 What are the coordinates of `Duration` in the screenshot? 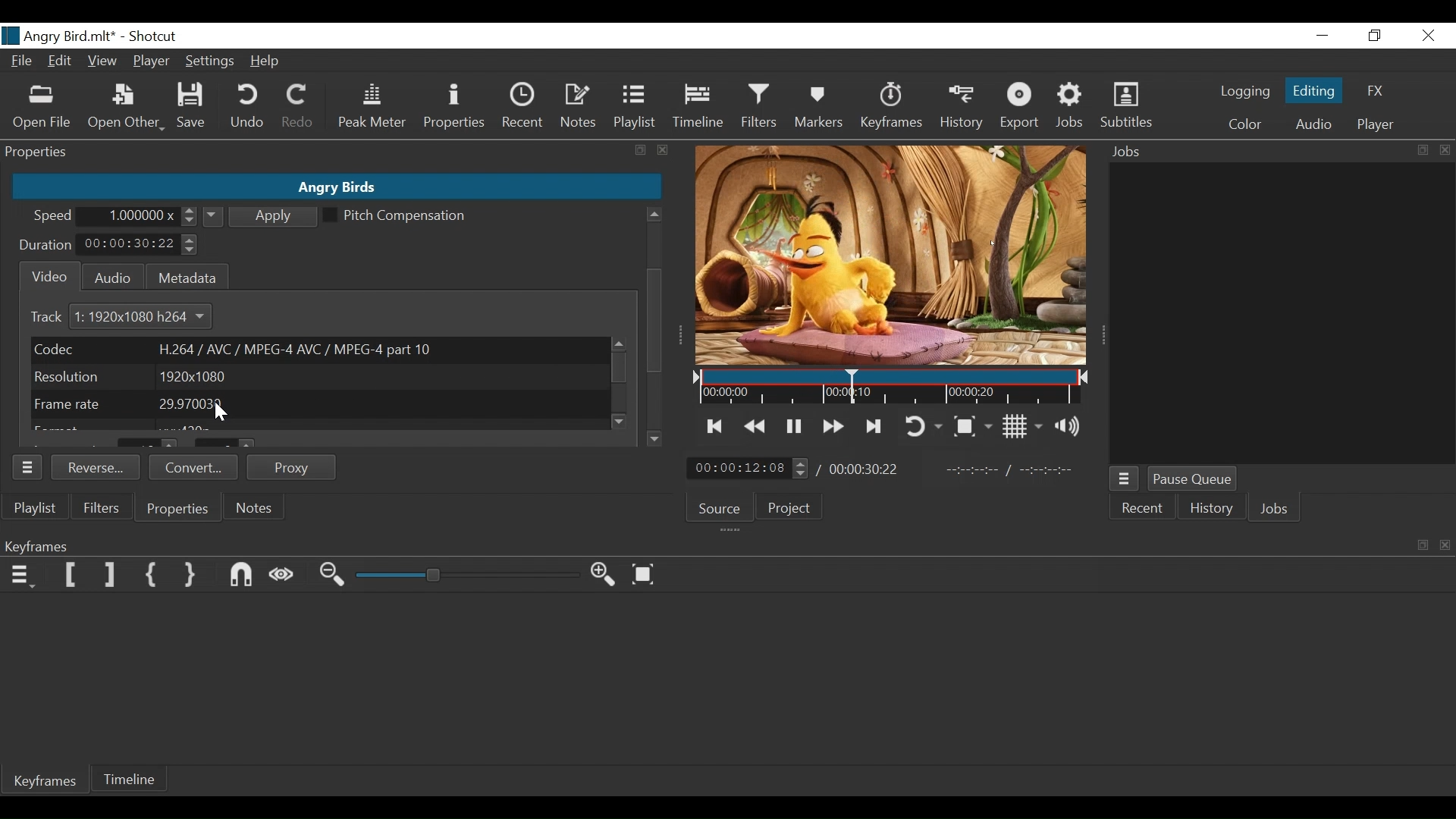 It's located at (46, 246).